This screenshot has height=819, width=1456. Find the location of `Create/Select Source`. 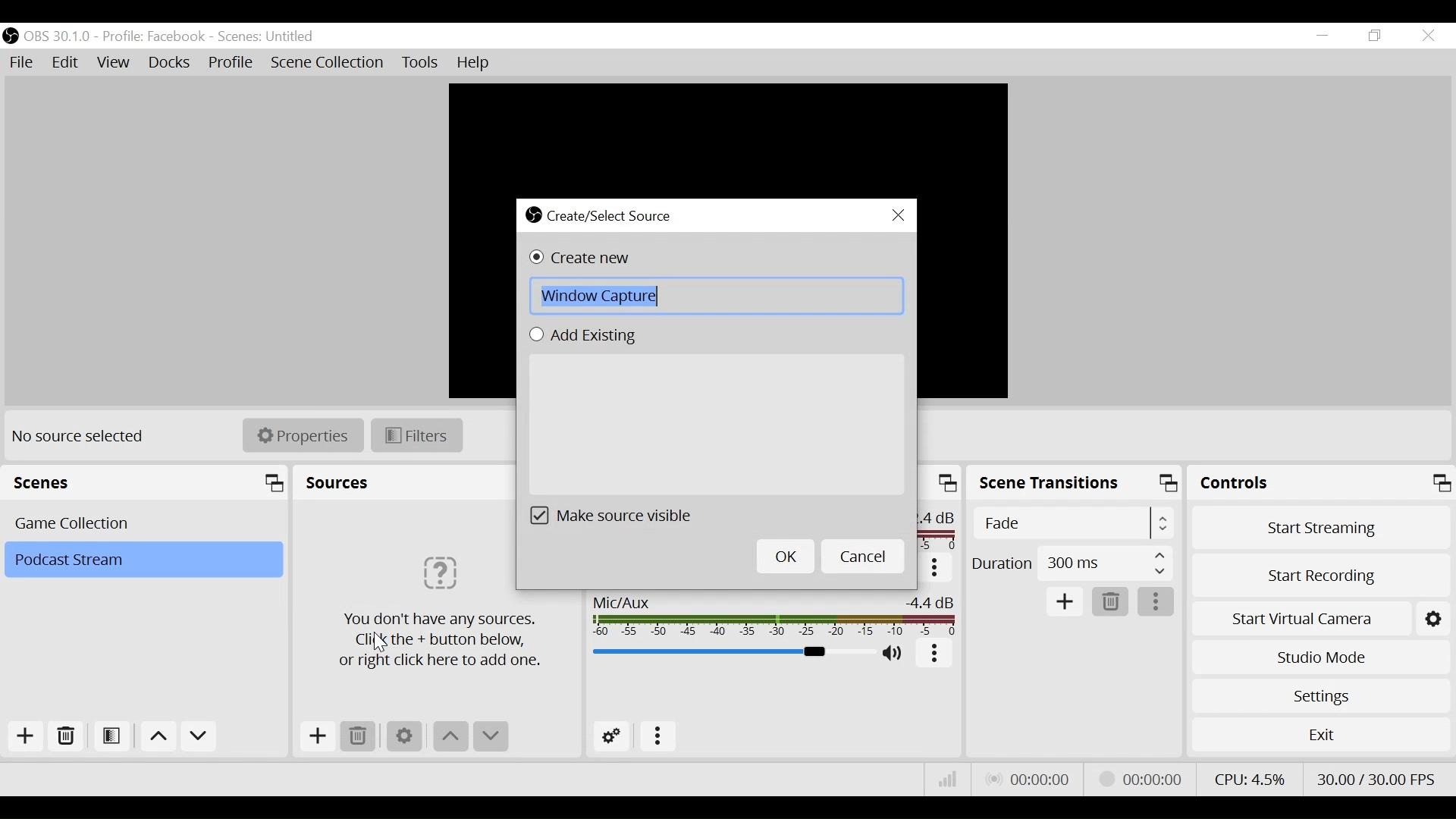

Create/Select Source is located at coordinates (600, 215).